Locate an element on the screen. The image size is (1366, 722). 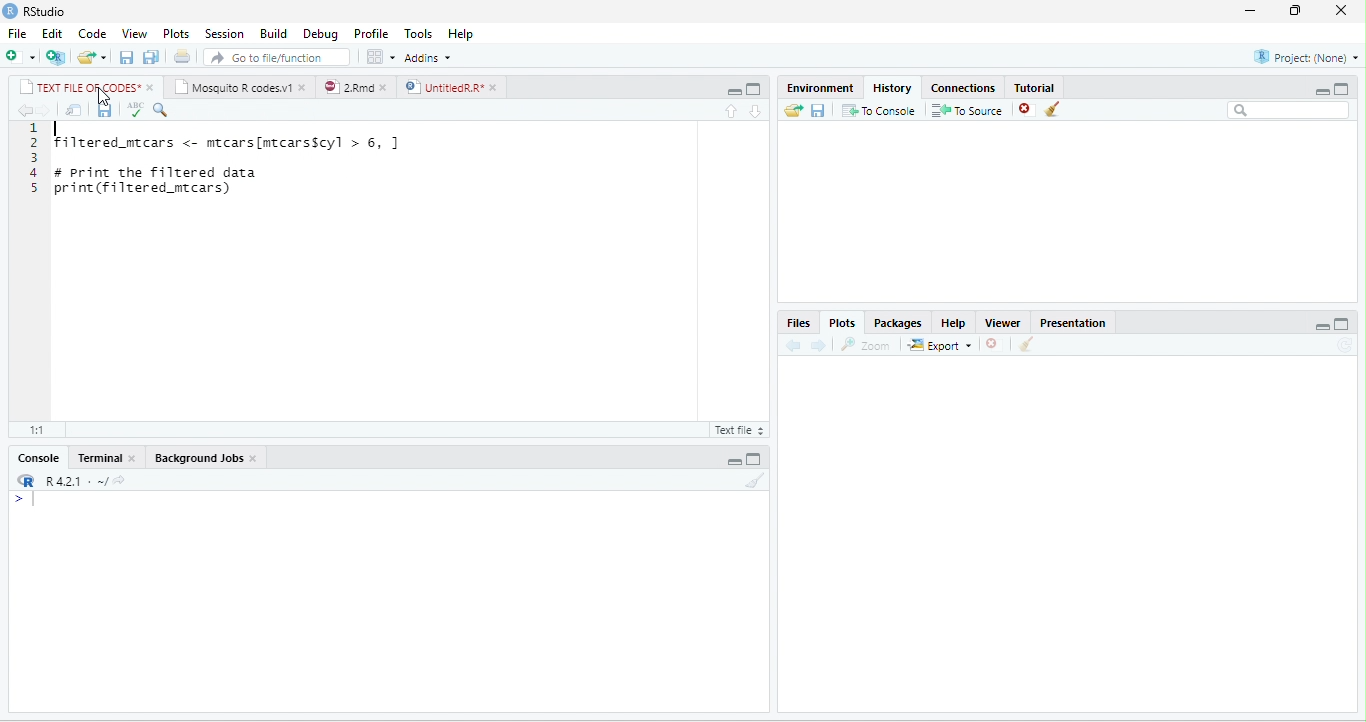
clear is located at coordinates (756, 480).